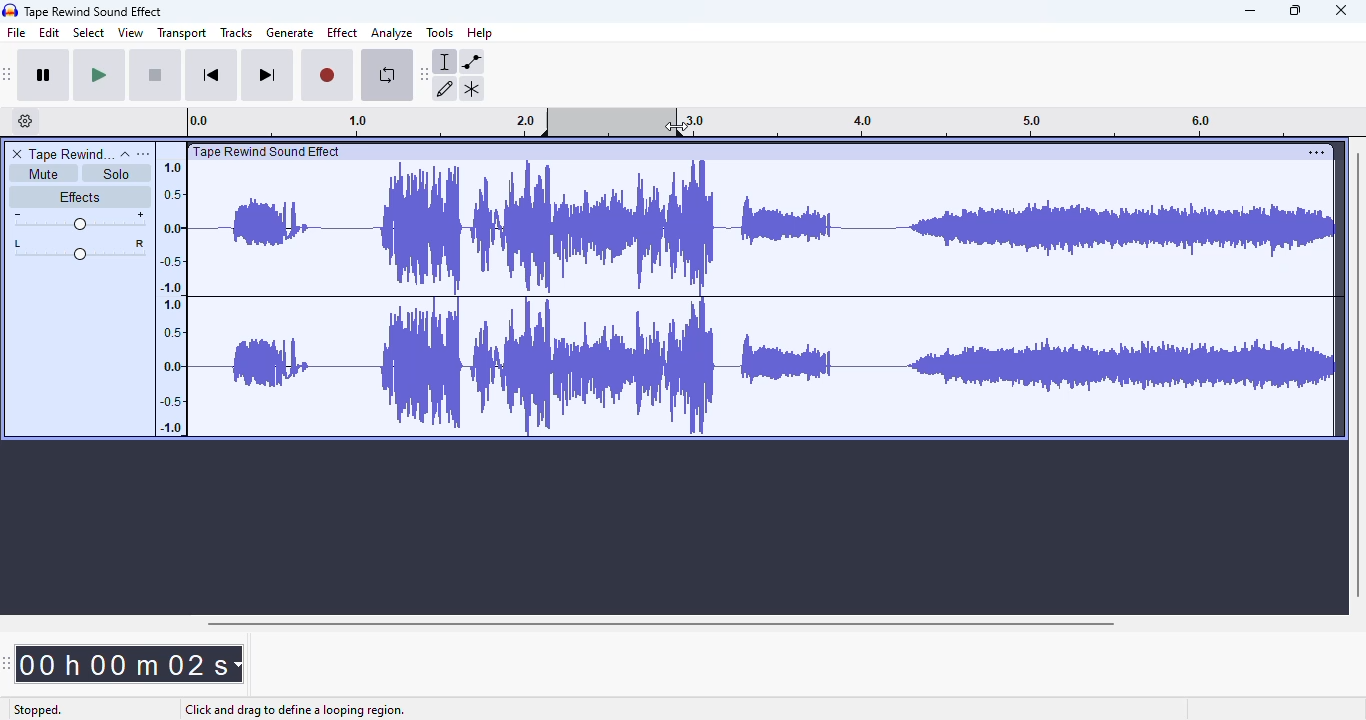 The image size is (1366, 720). I want to click on stopped, so click(37, 711).